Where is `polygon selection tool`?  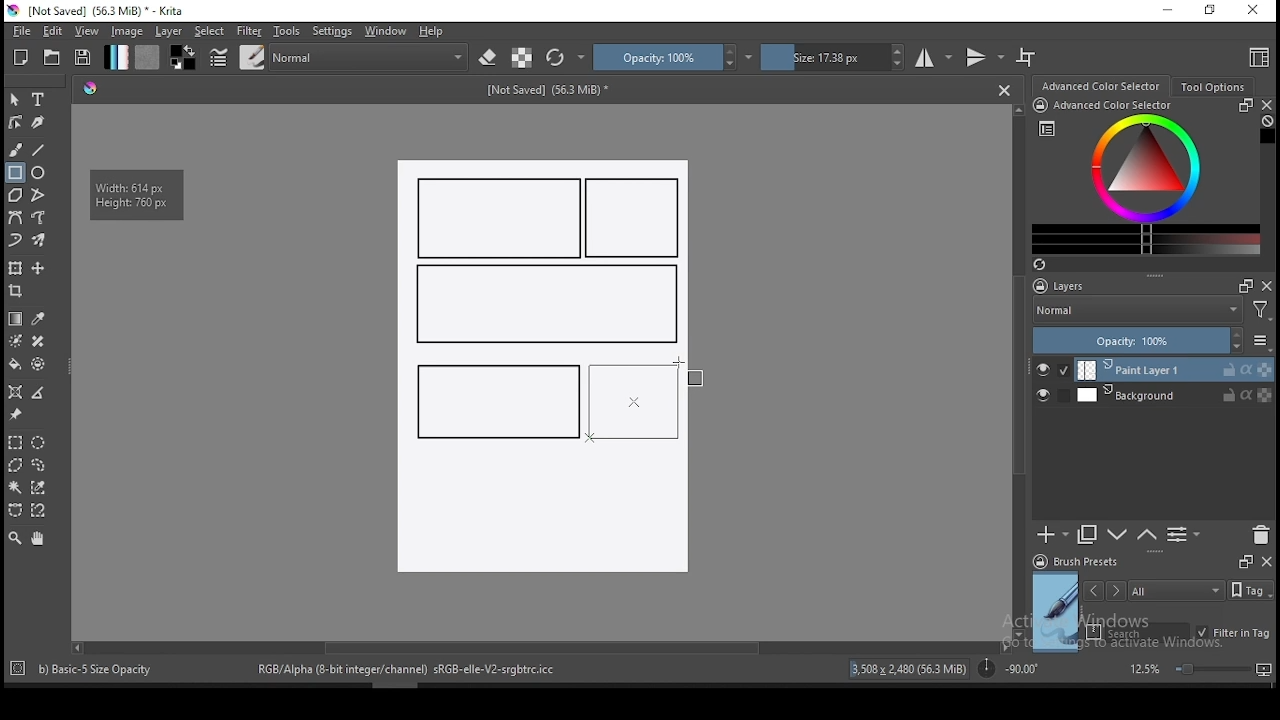 polygon selection tool is located at coordinates (16, 465).